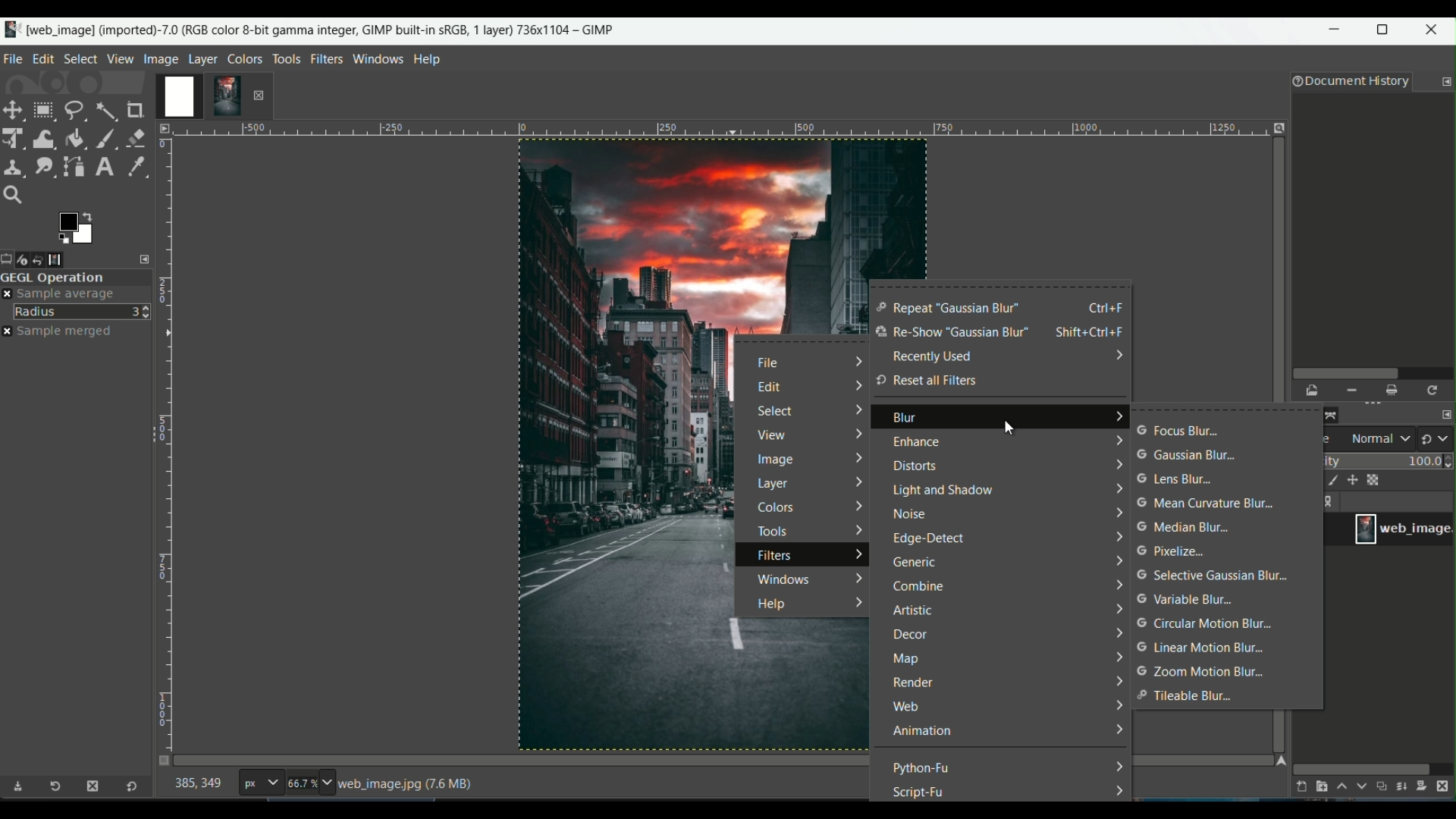 This screenshot has width=1456, height=819. I want to click on add a mask, so click(1426, 786).